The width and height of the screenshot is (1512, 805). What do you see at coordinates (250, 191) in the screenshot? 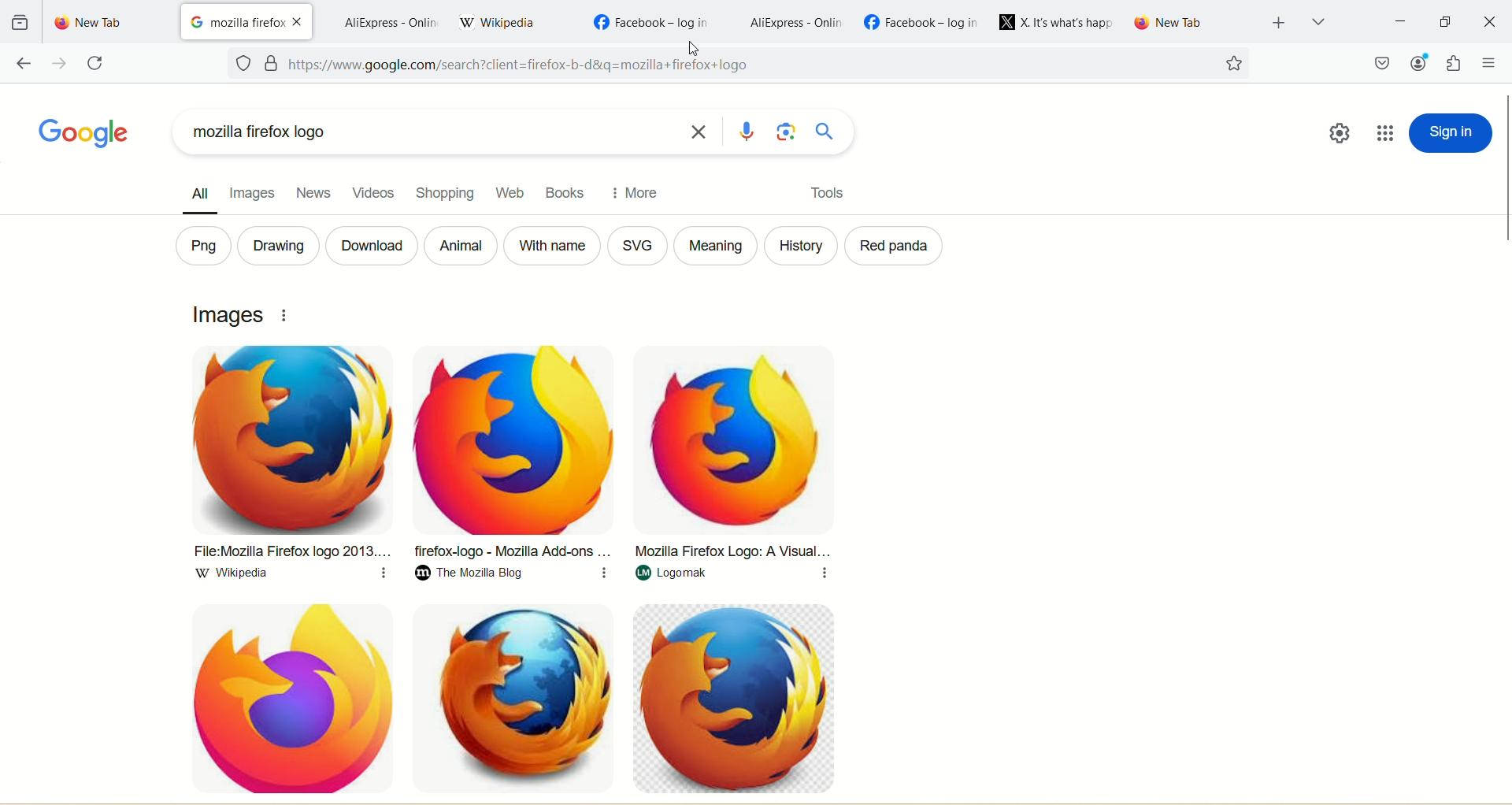
I see `images` at bounding box center [250, 191].